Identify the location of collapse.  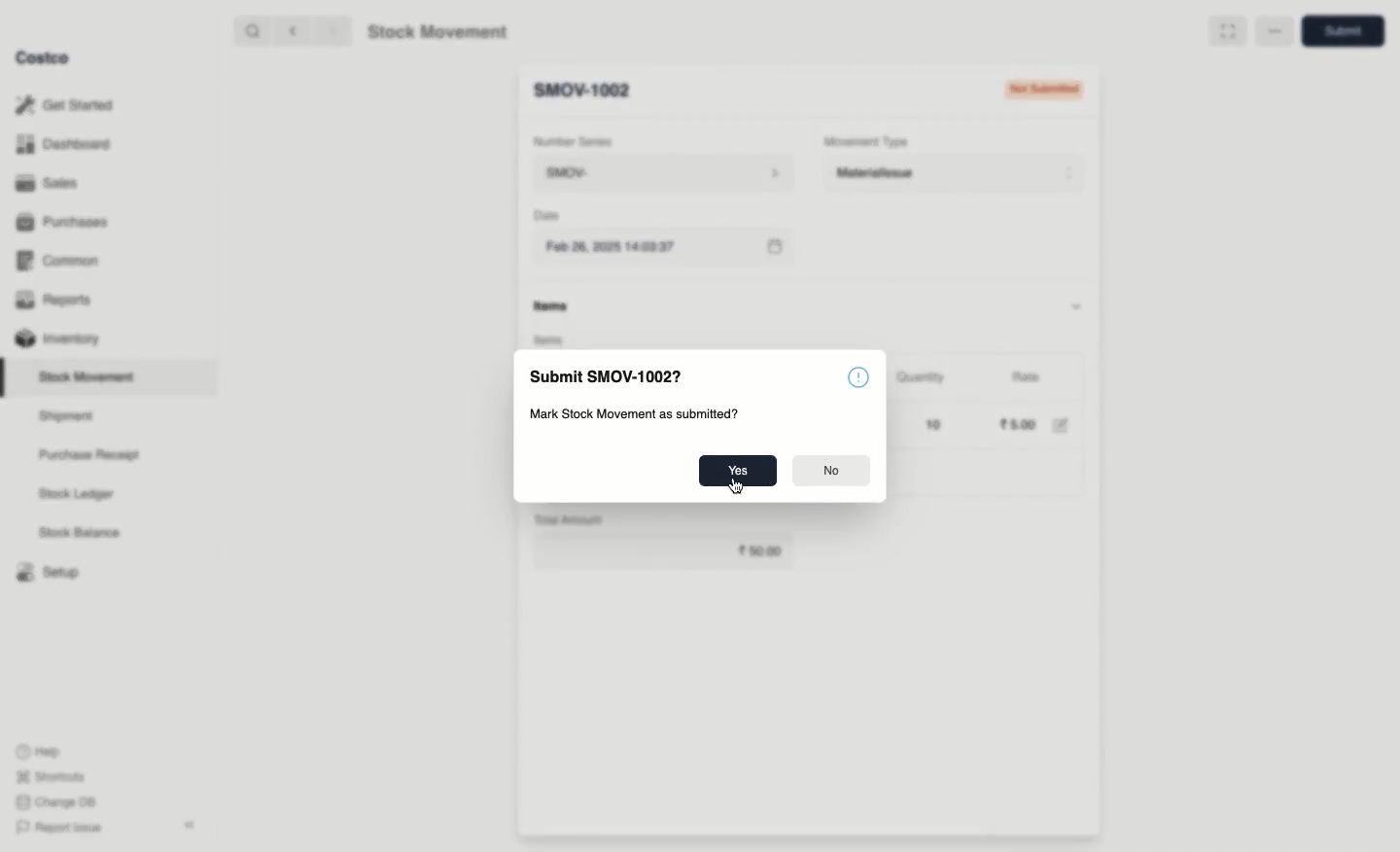
(189, 824).